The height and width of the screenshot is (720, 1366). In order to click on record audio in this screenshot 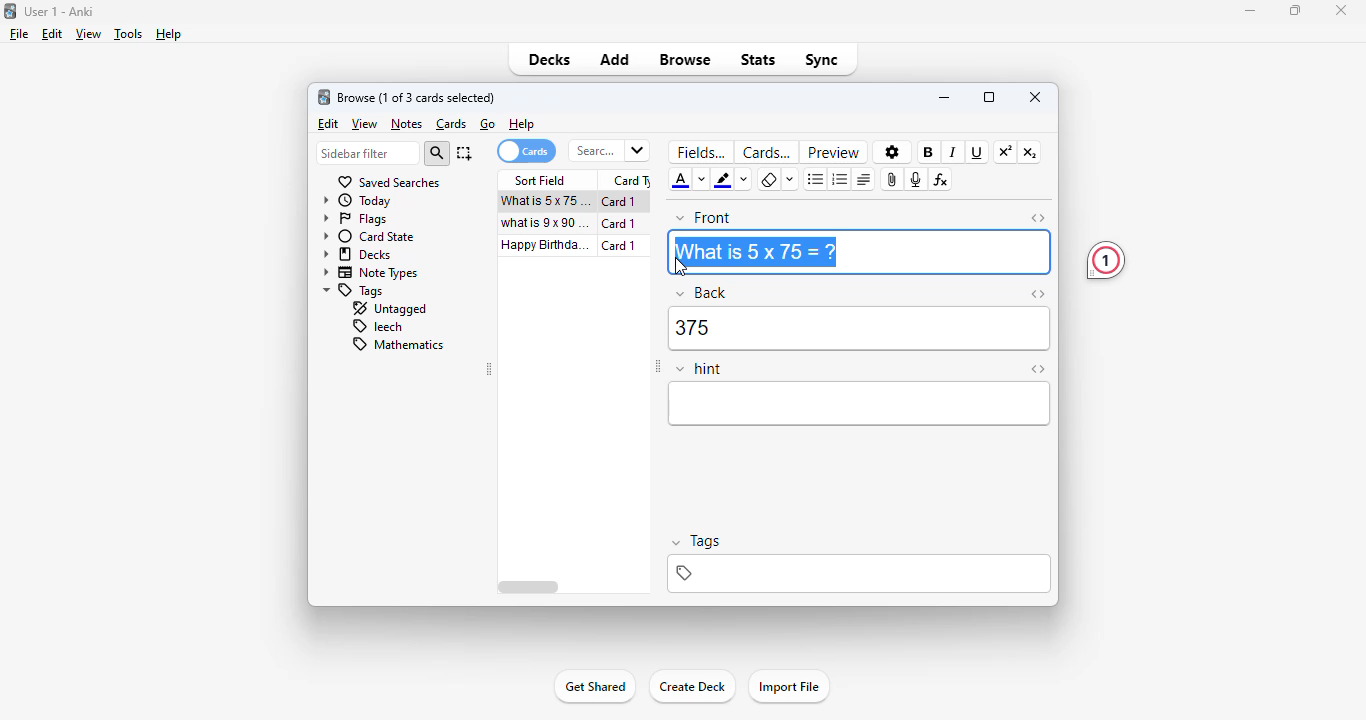, I will do `click(917, 179)`.